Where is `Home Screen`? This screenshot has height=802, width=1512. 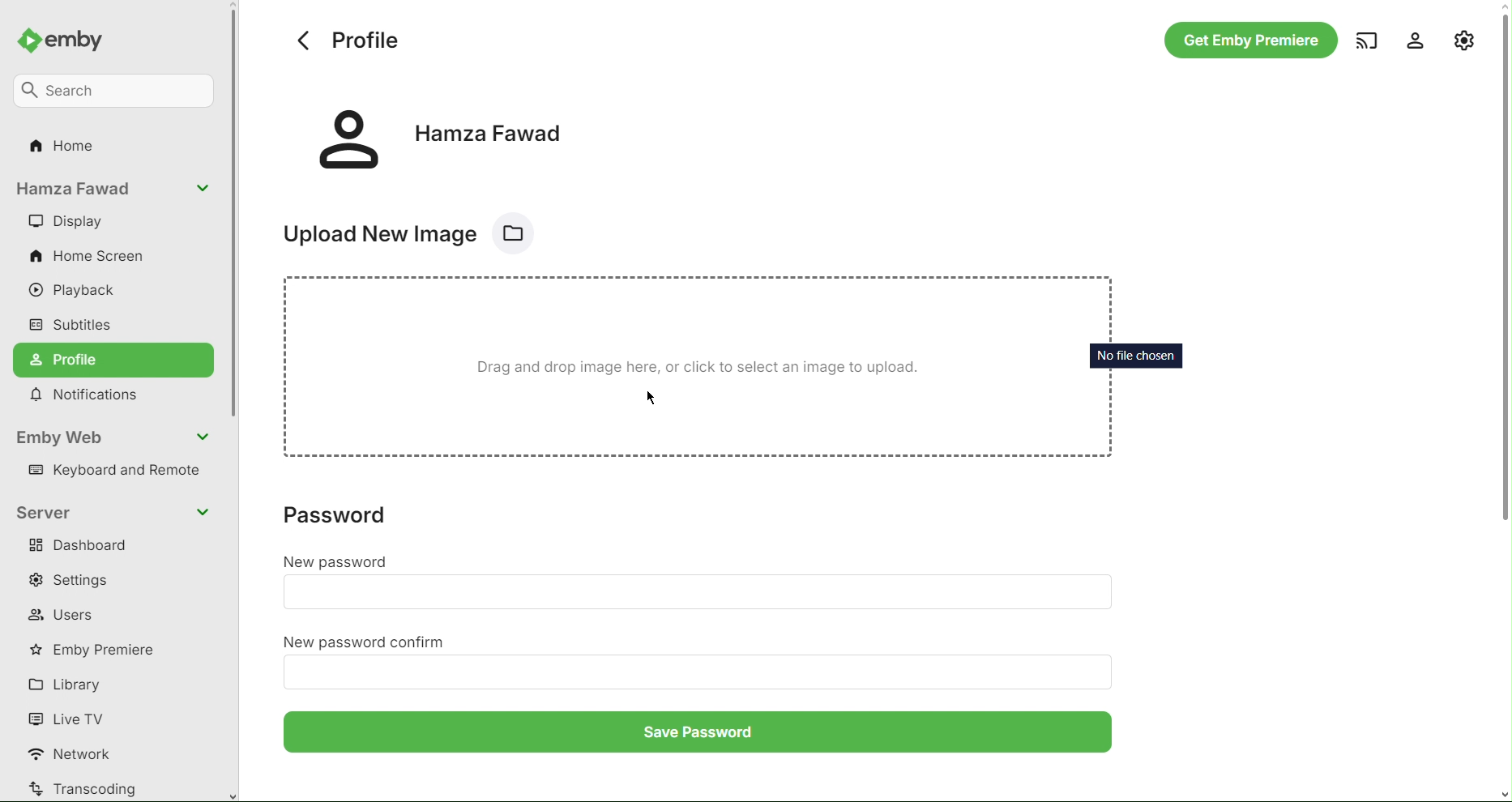 Home Screen is located at coordinates (90, 258).